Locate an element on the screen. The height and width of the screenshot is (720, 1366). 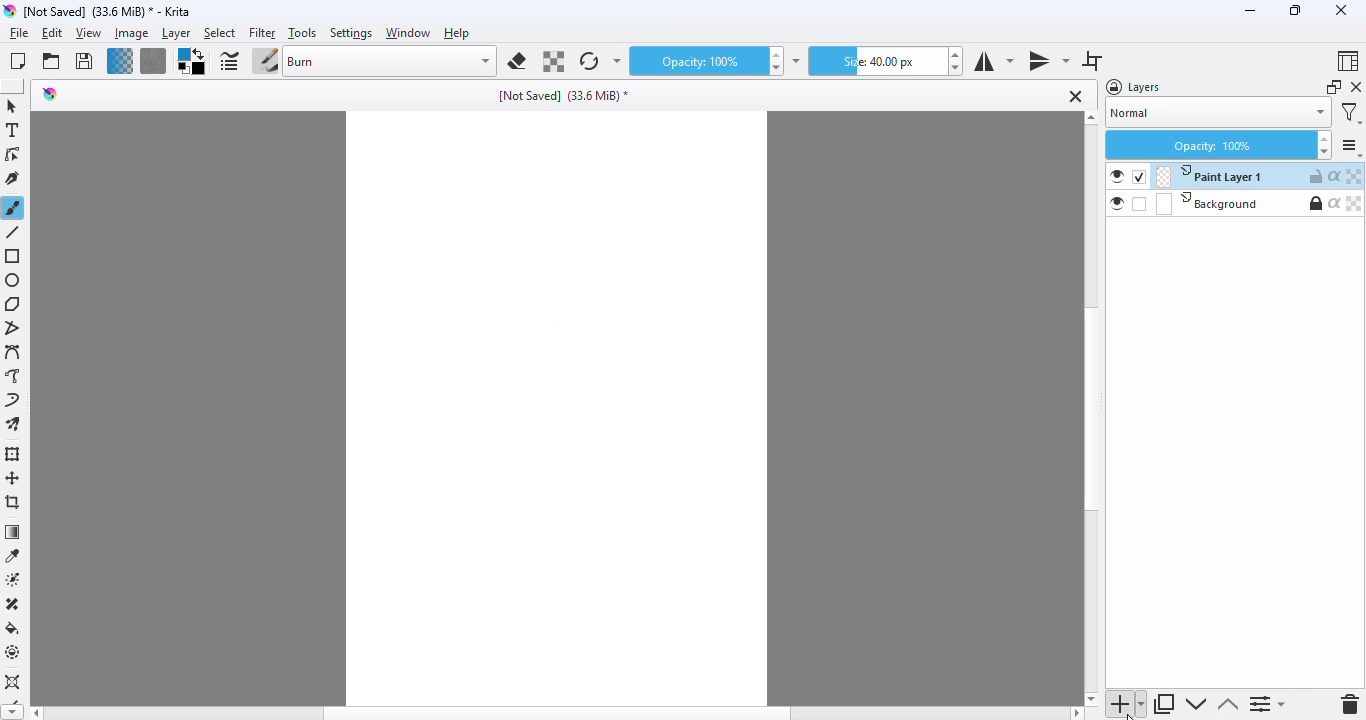
duplicate layer or mask is located at coordinates (1165, 704).